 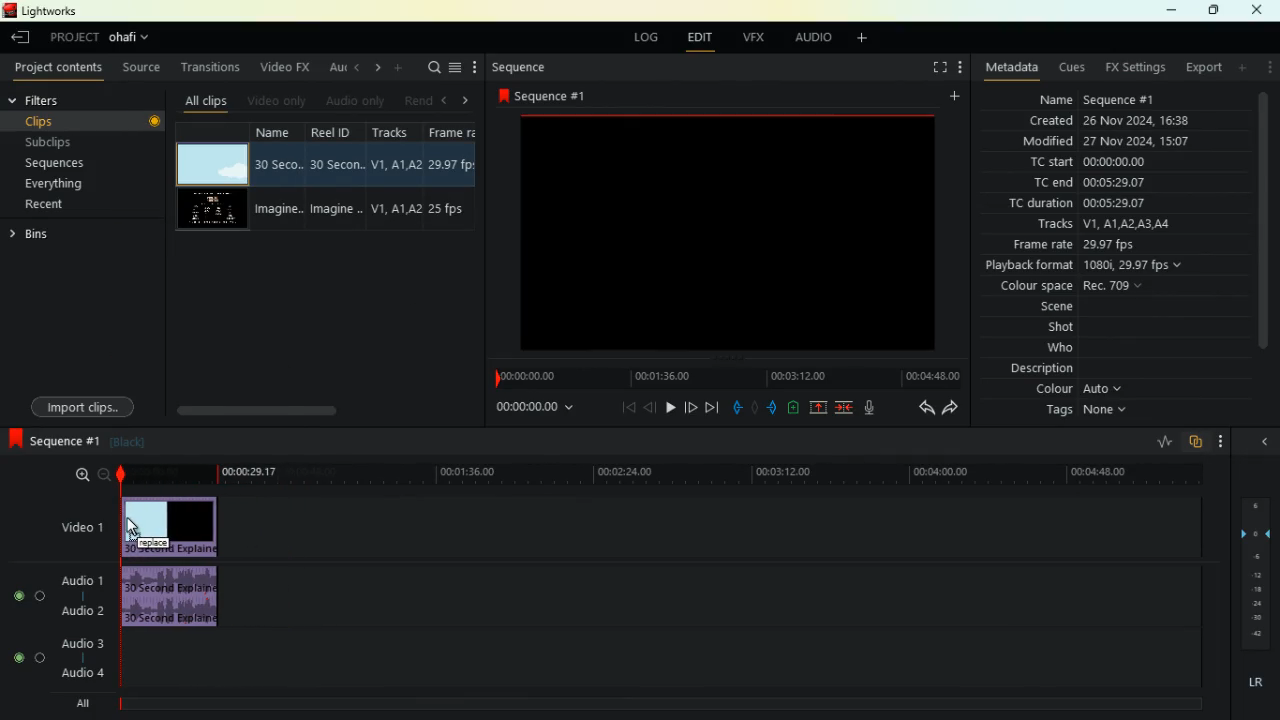 I want to click on menu, so click(x=1226, y=440).